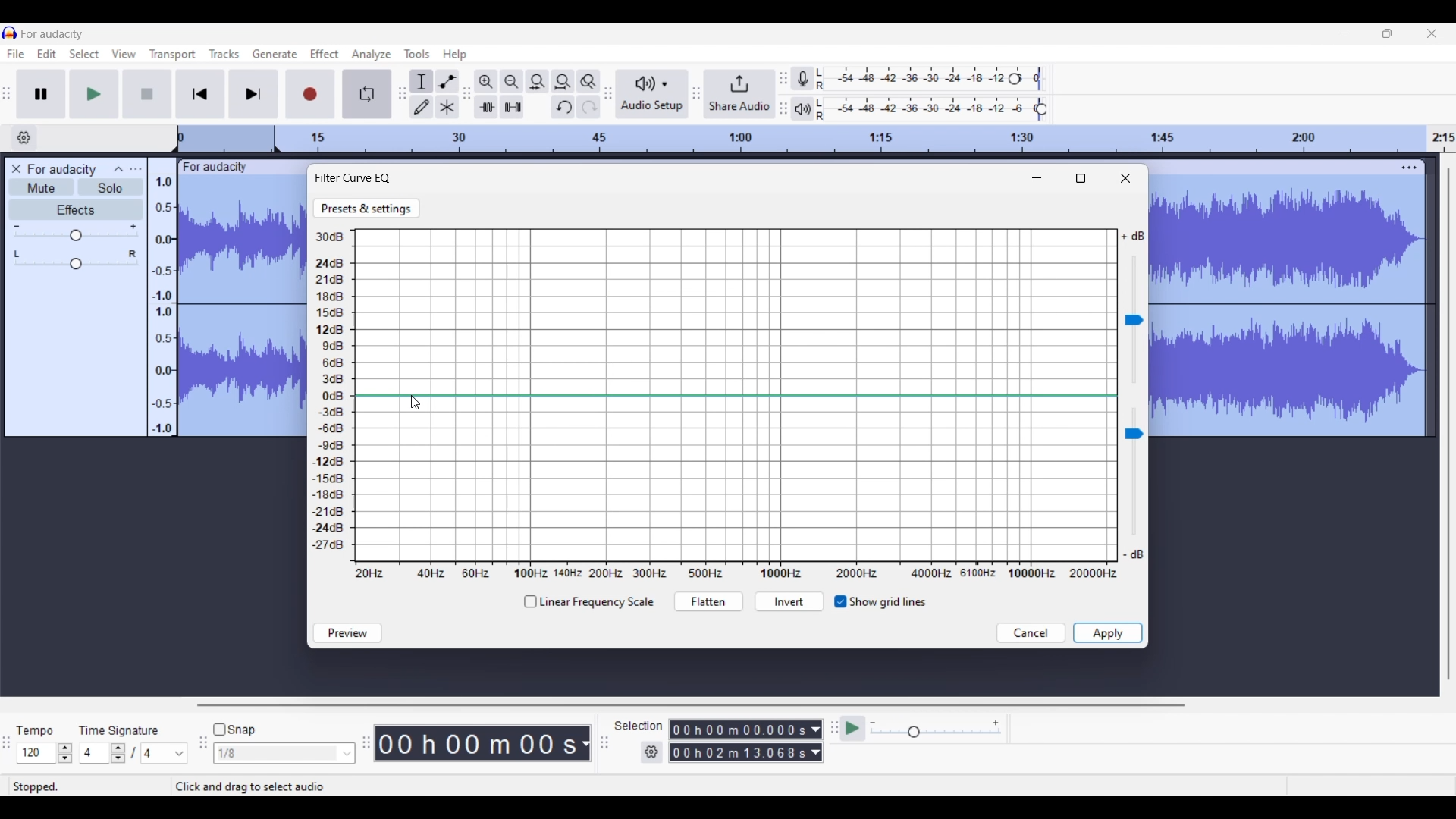  I want to click on Minimize, so click(1037, 178).